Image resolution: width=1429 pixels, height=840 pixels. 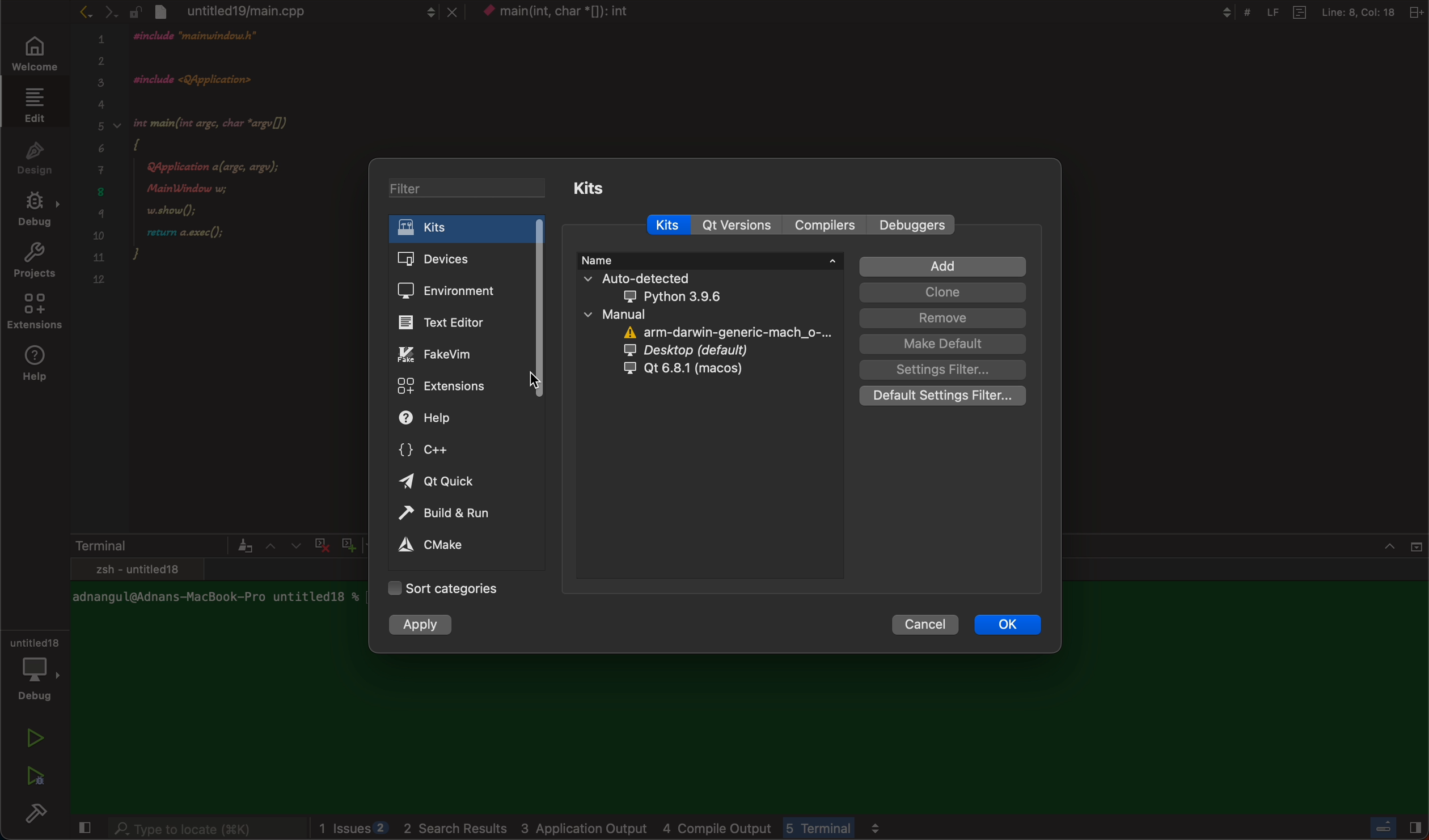 I want to click on help, so click(x=460, y=418).